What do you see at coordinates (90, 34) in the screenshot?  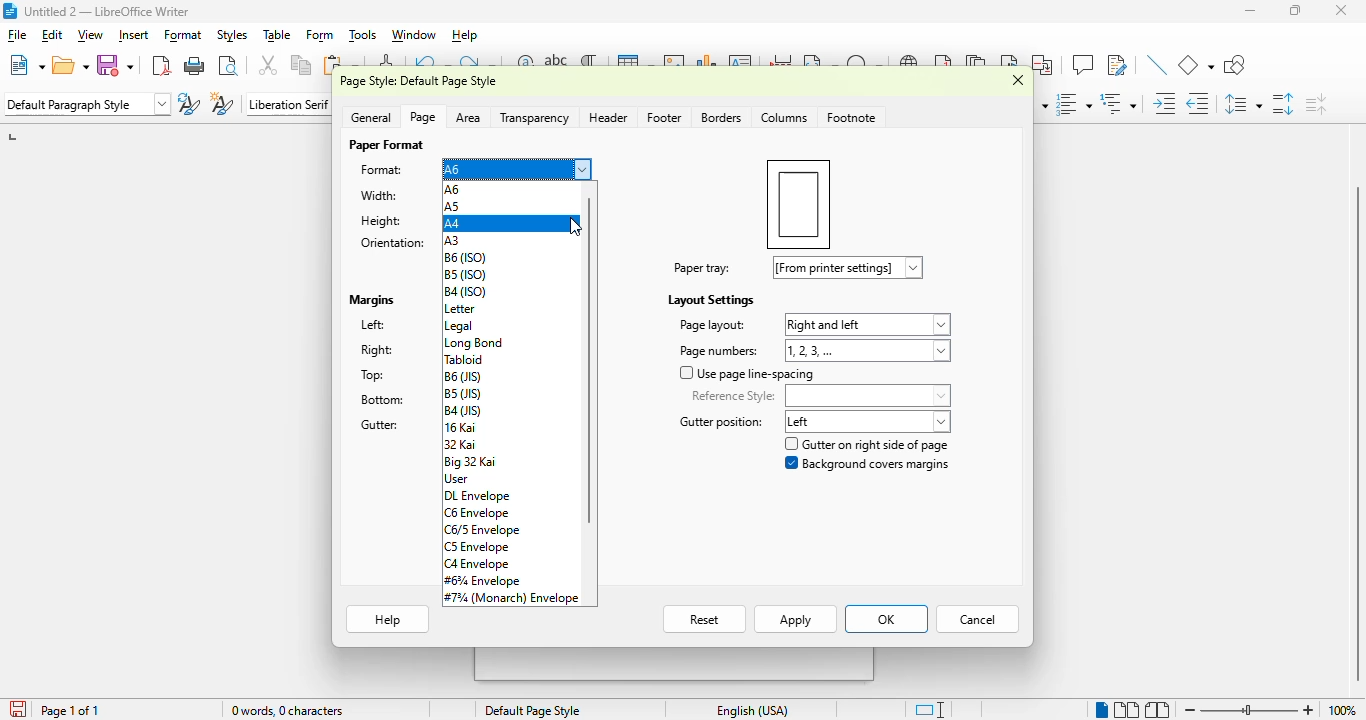 I see `view` at bounding box center [90, 34].